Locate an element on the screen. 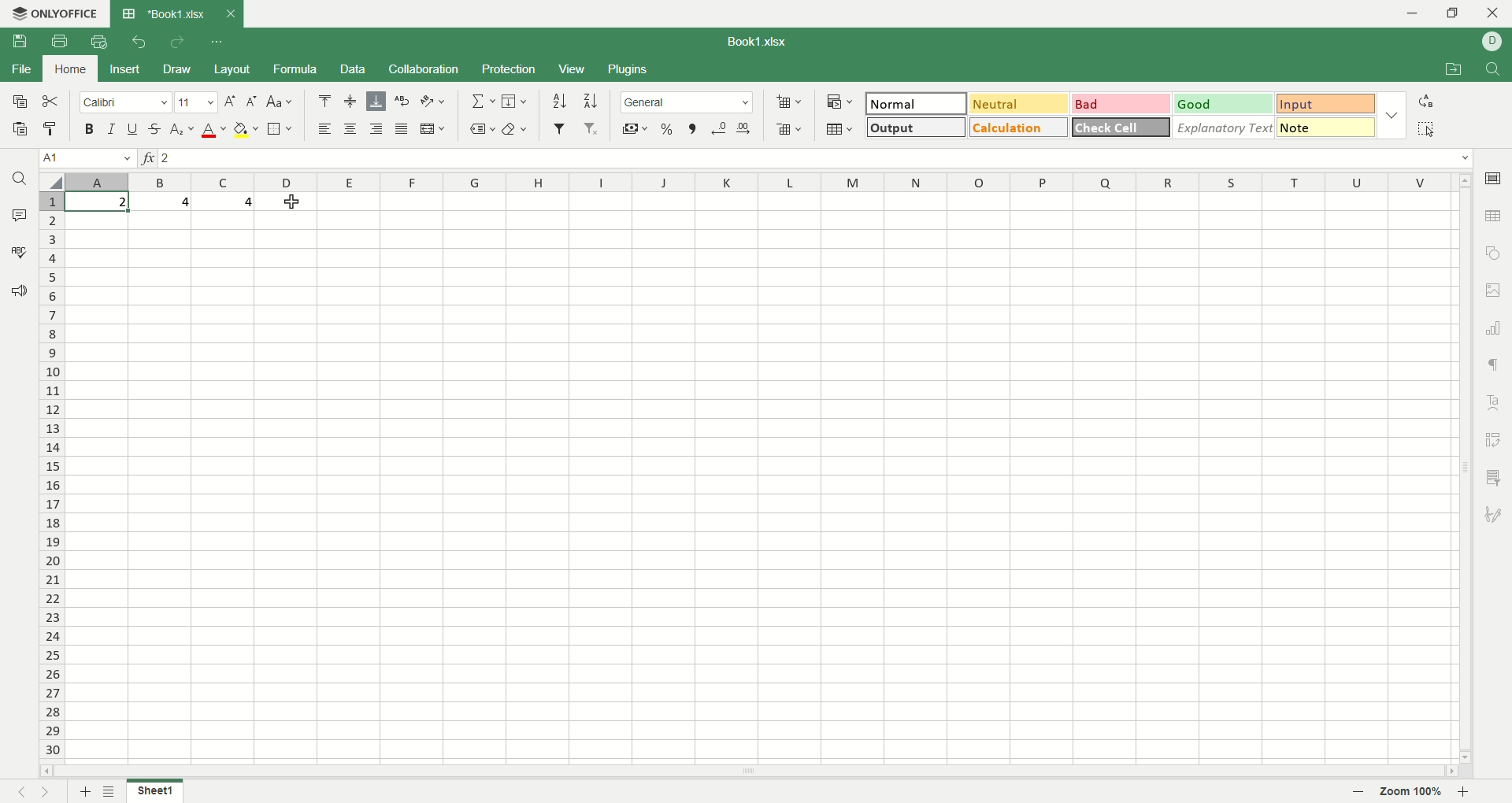 This screenshot has width=1512, height=803. chart settings is located at coordinates (1494, 328).